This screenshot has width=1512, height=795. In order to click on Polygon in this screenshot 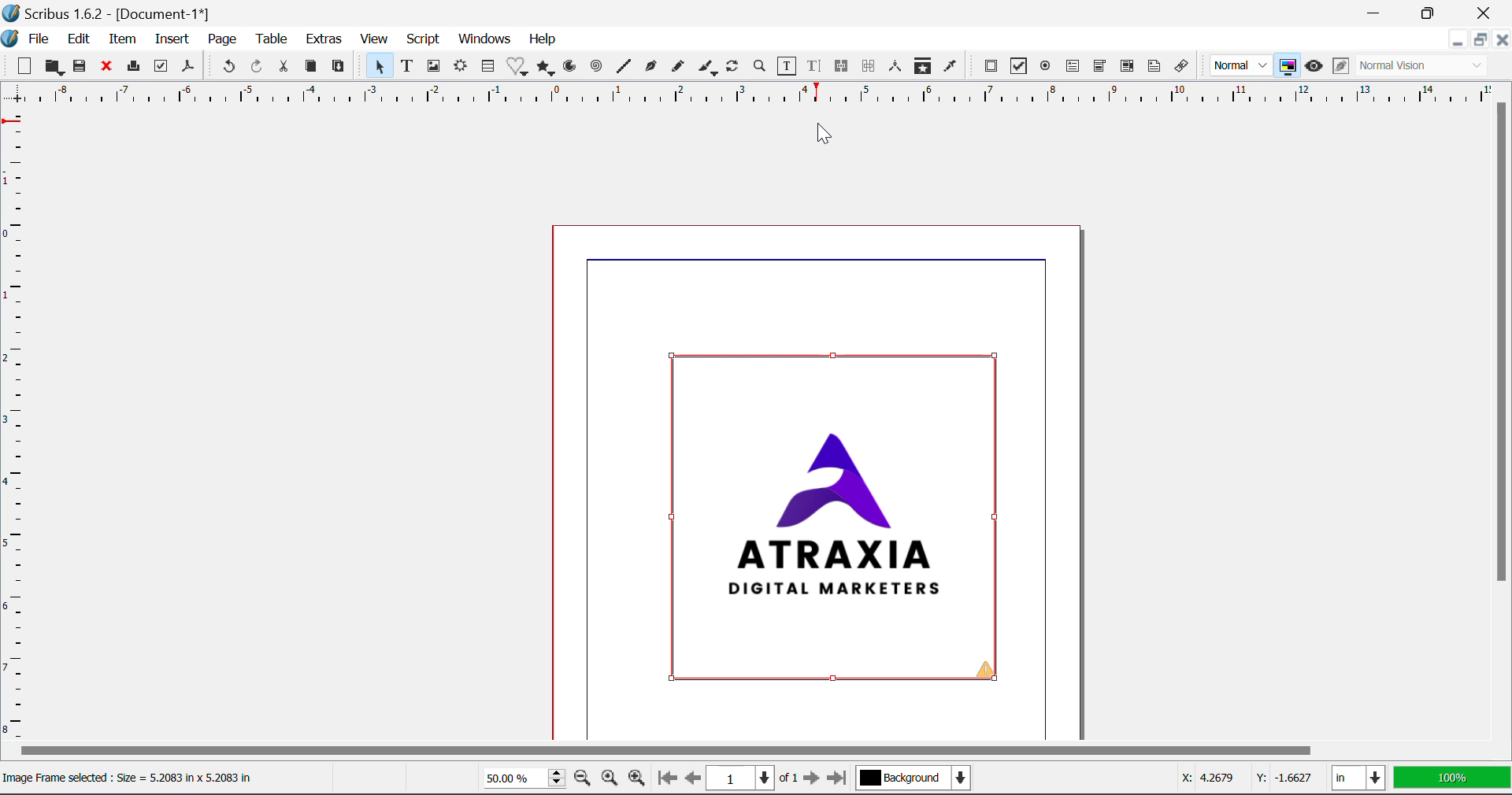, I will do `click(547, 68)`.